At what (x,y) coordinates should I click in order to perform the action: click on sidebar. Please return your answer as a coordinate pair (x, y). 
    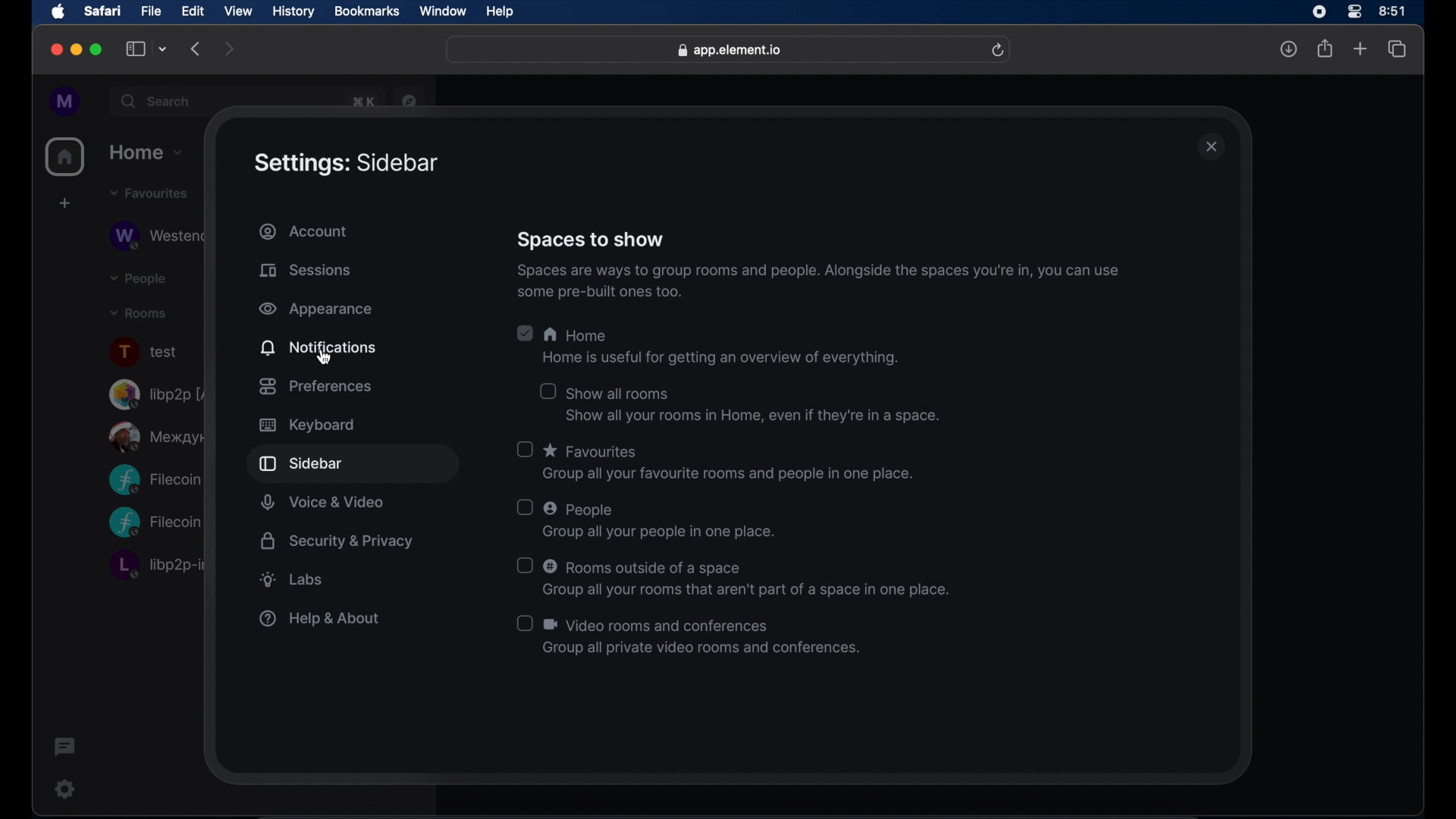
    Looking at the image, I should click on (354, 464).